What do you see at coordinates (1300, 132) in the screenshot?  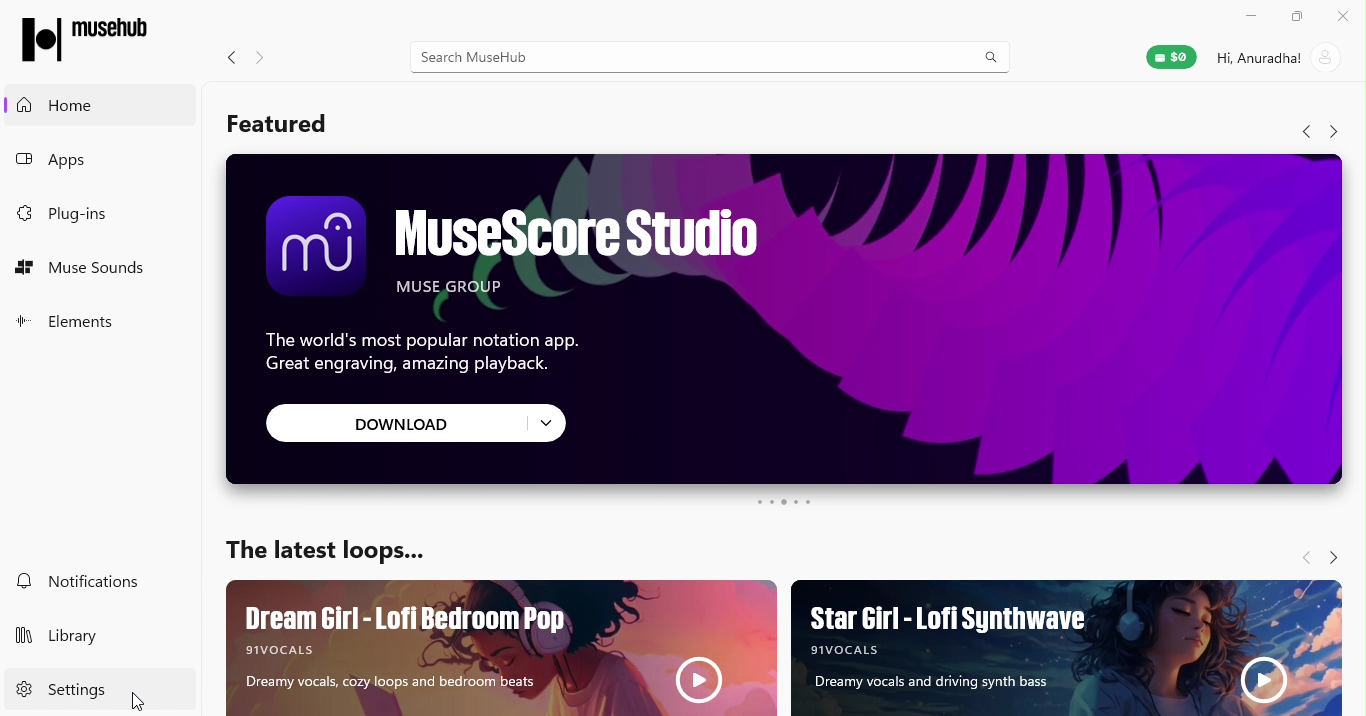 I see `Navigate back` at bounding box center [1300, 132].